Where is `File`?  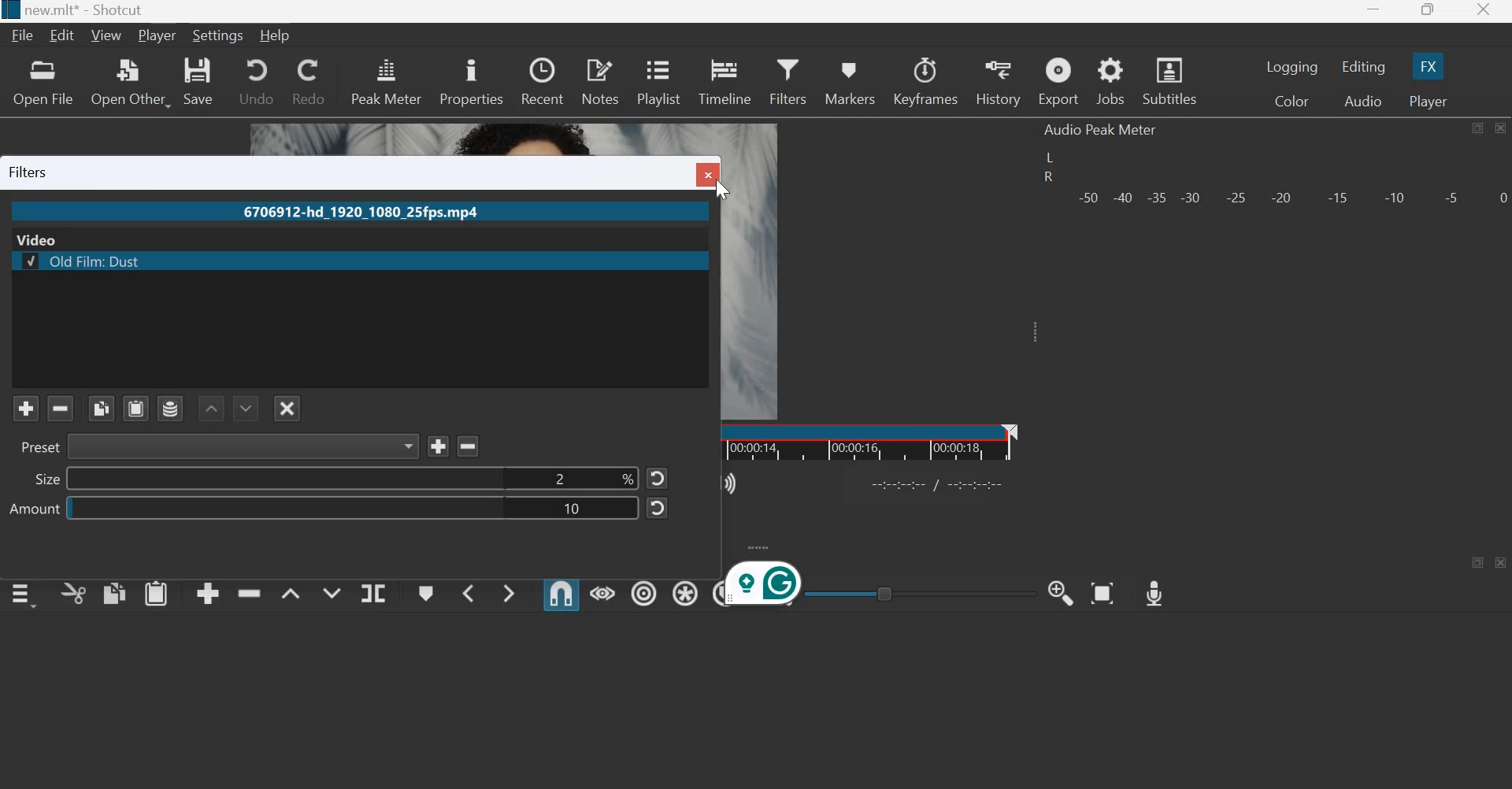 File is located at coordinates (25, 35).